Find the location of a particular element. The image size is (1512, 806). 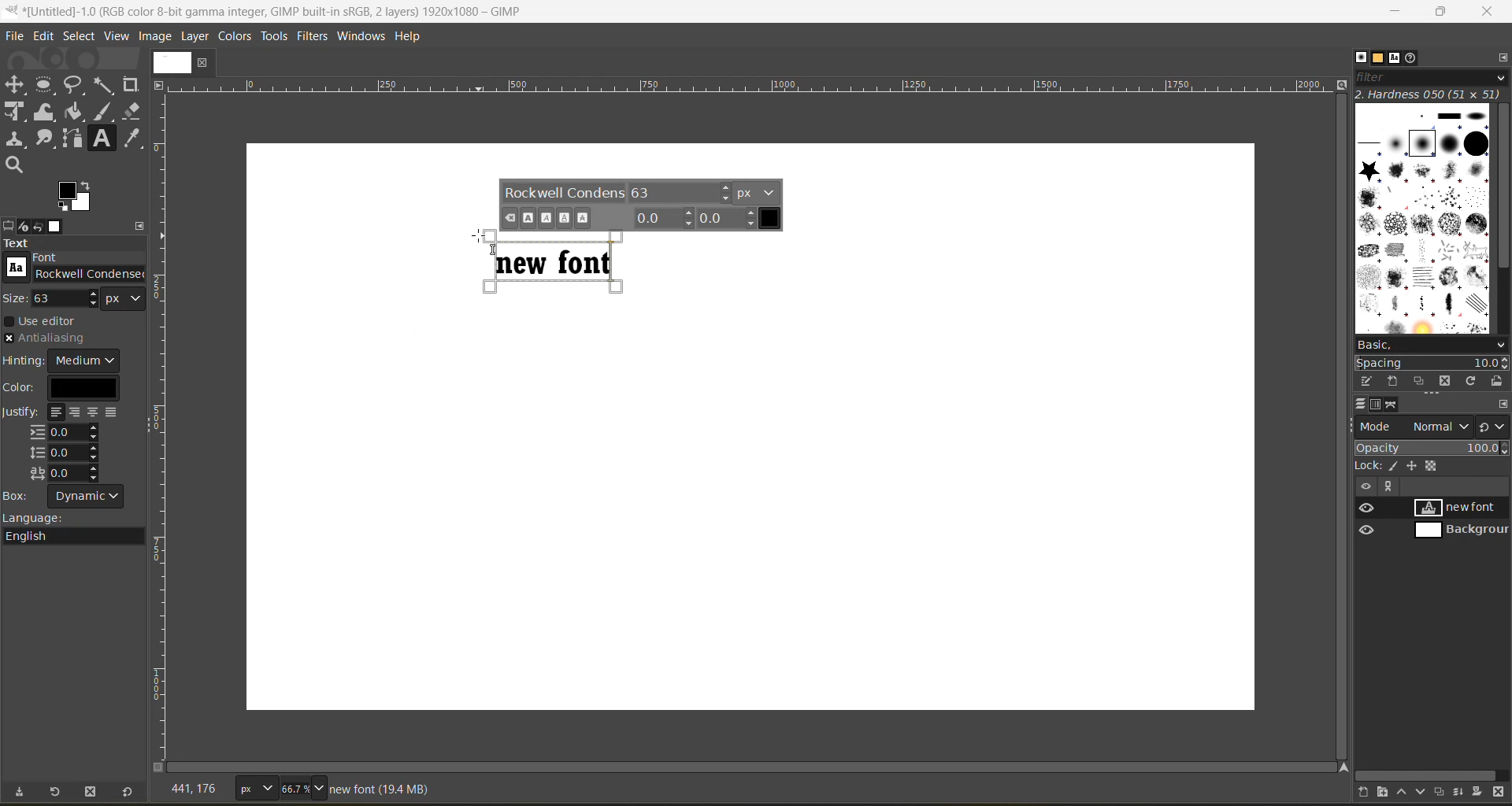

close is located at coordinates (1492, 12).